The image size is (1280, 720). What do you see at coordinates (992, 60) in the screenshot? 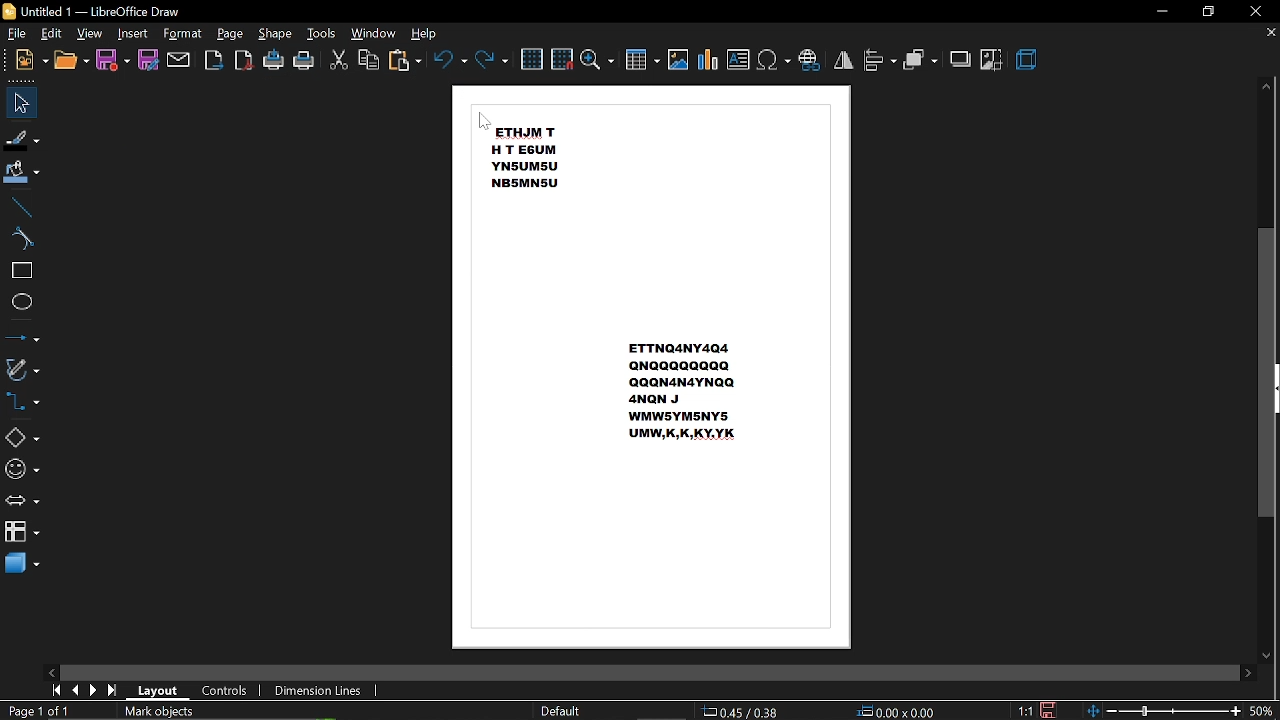
I see `crop` at bounding box center [992, 60].